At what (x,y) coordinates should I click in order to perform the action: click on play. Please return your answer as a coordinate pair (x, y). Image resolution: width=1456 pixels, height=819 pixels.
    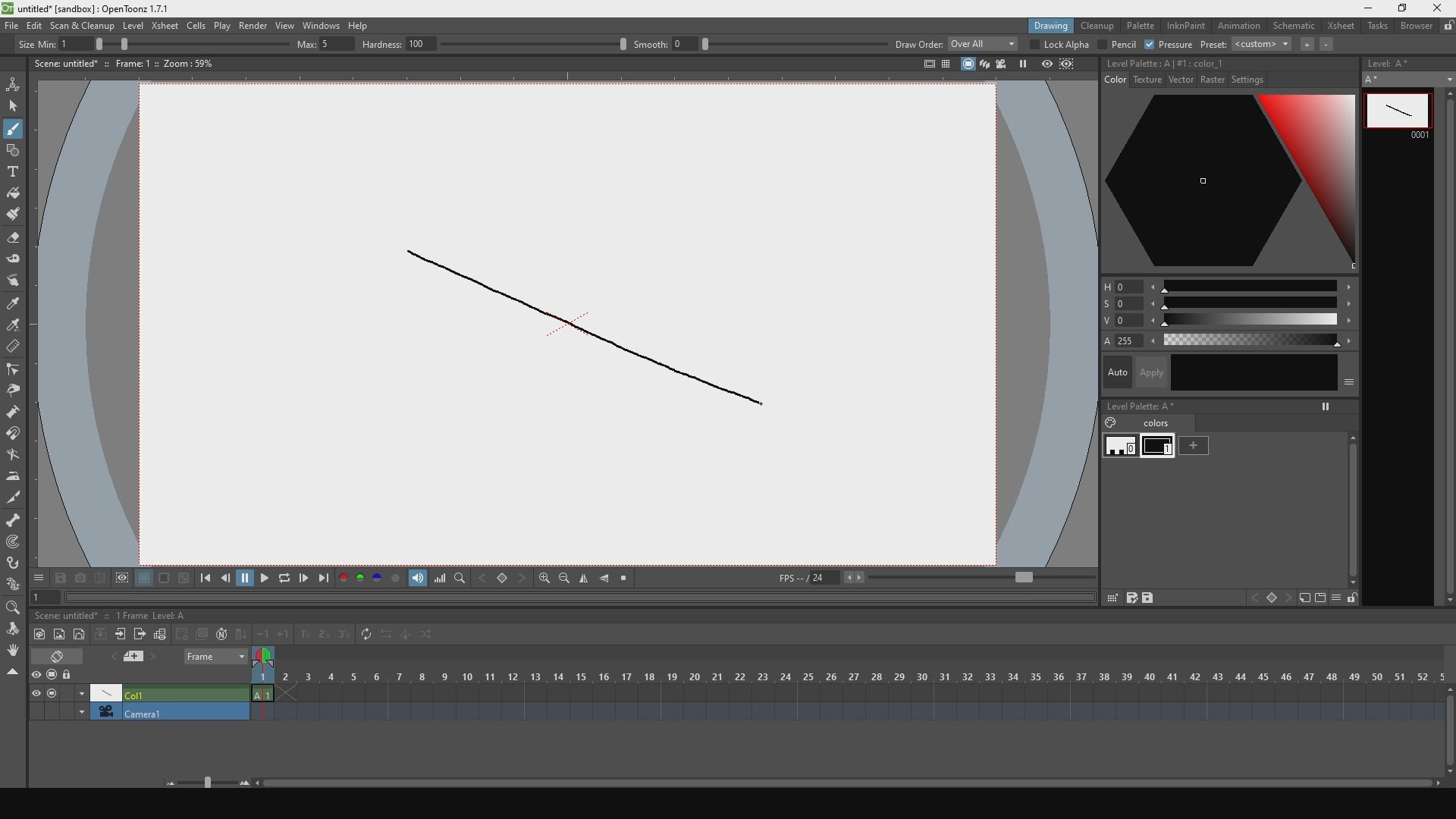
    Looking at the image, I should click on (268, 579).